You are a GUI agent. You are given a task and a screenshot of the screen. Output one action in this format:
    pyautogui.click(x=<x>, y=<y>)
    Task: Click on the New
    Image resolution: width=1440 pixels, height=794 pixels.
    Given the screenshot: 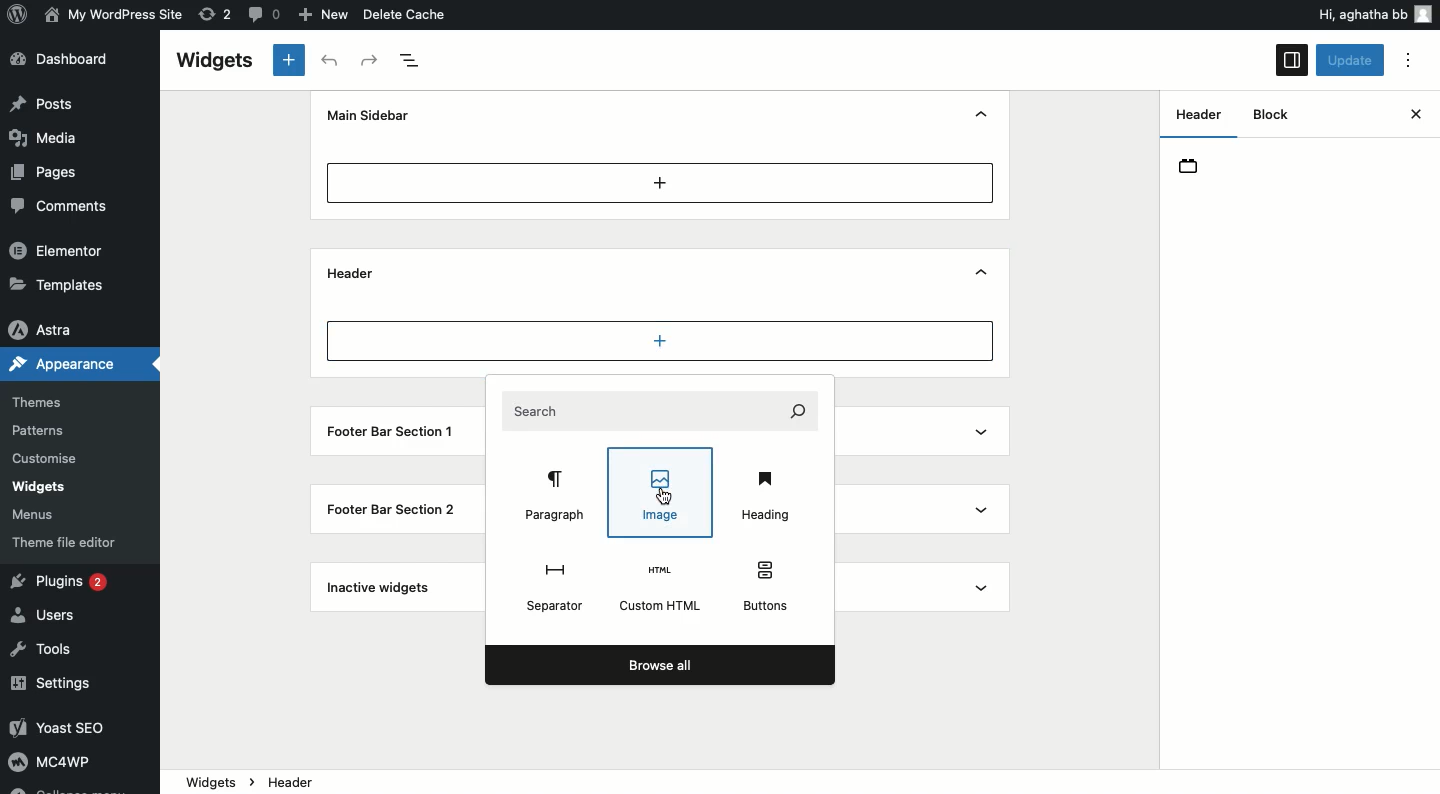 What is the action you would take?
    pyautogui.click(x=326, y=15)
    